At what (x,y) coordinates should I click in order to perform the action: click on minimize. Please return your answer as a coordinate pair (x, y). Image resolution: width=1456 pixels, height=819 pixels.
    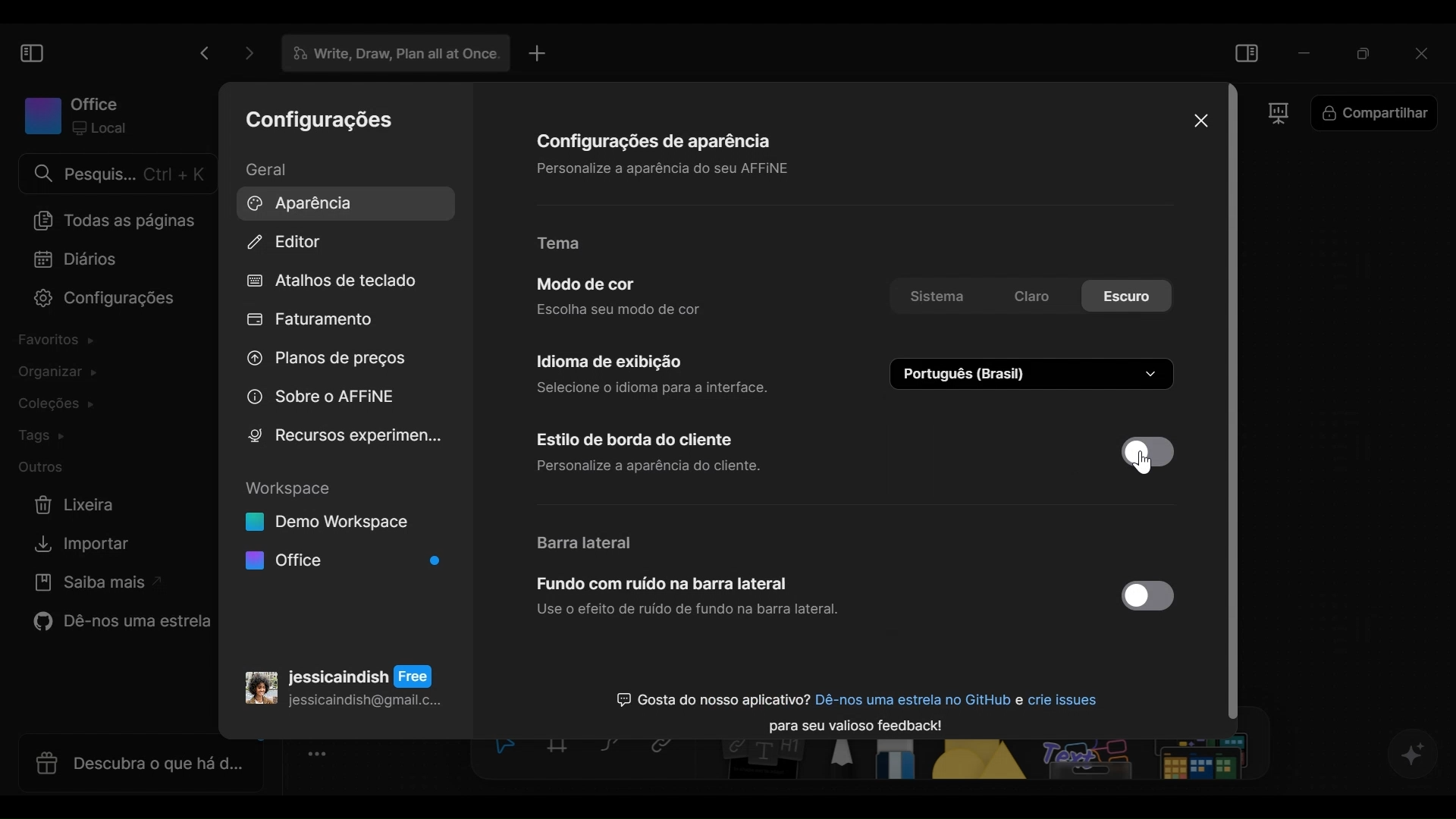
    Looking at the image, I should click on (1305, 52).